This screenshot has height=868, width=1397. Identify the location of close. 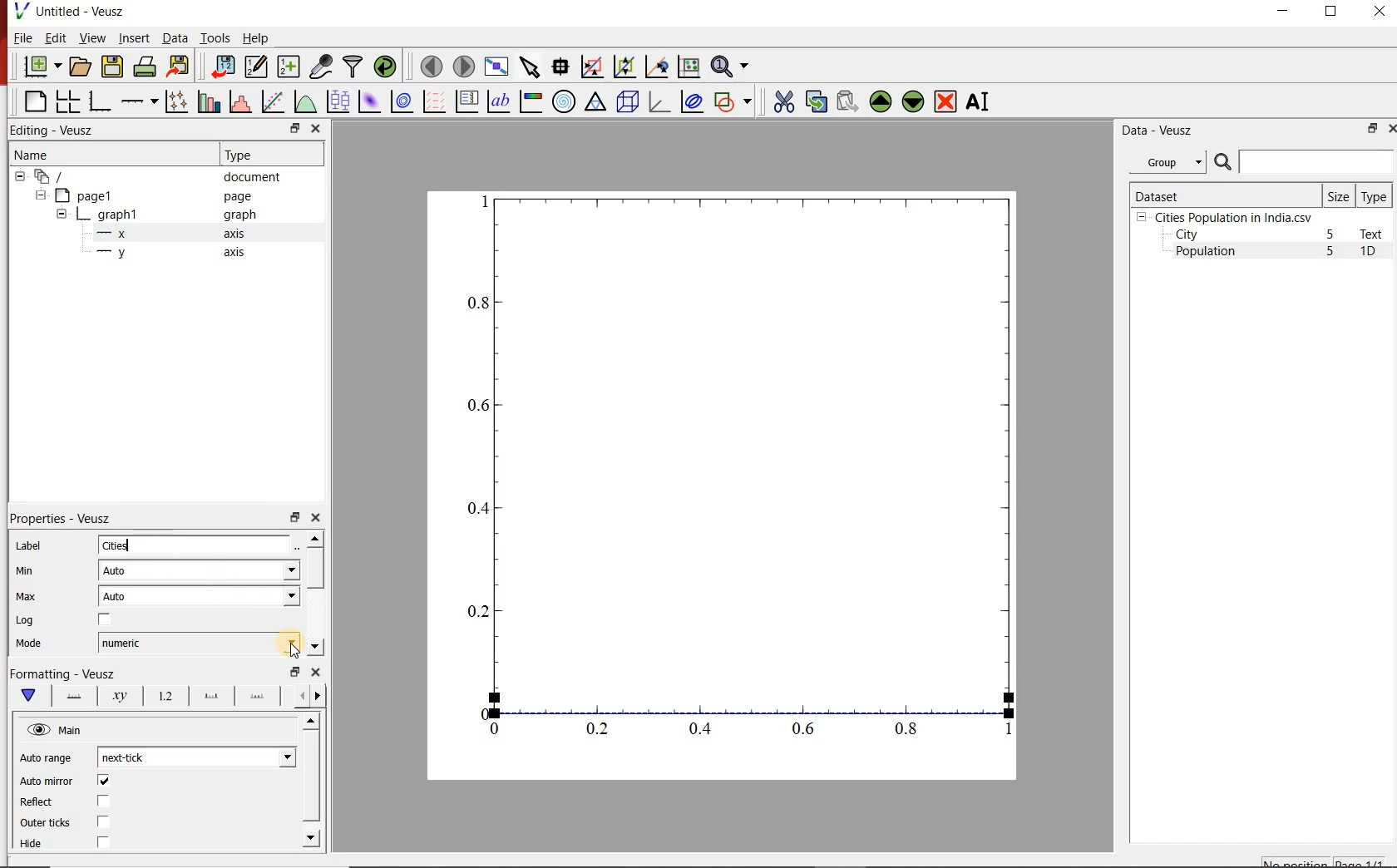
(1390, 128).